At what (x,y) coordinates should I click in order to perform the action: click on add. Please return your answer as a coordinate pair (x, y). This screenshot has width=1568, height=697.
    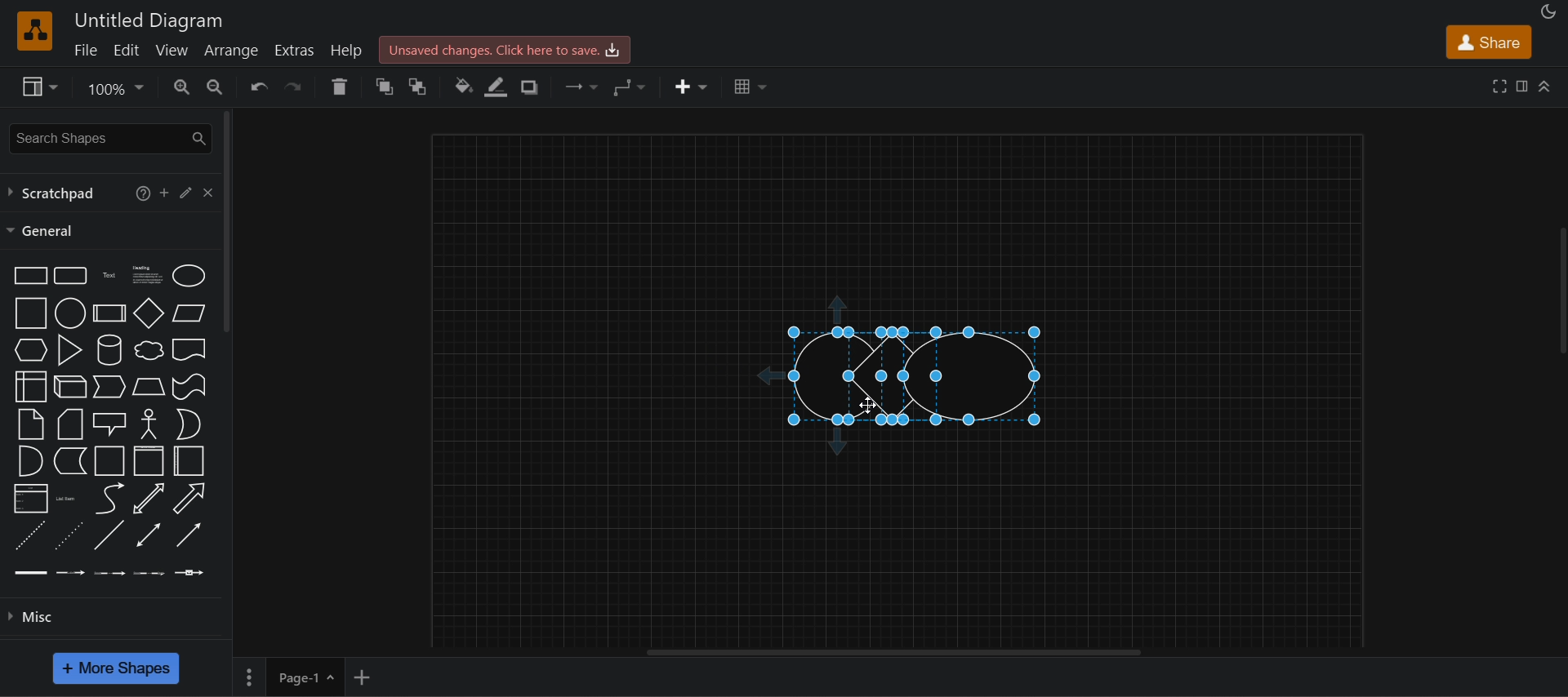
    Looking at the image, I should click on (164, 192).